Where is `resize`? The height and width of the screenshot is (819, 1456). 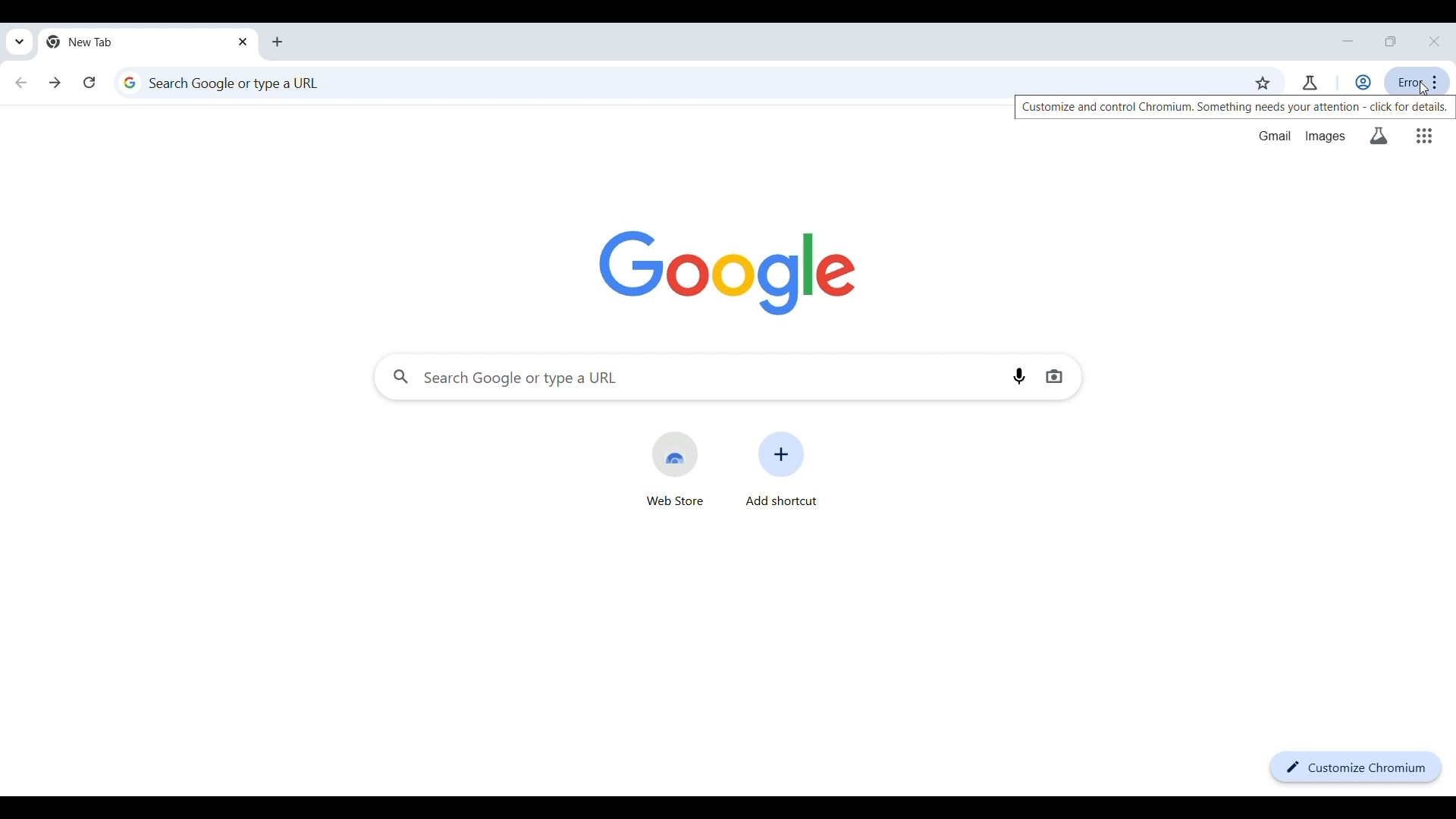
resize is located at coordinates (1391, 41).